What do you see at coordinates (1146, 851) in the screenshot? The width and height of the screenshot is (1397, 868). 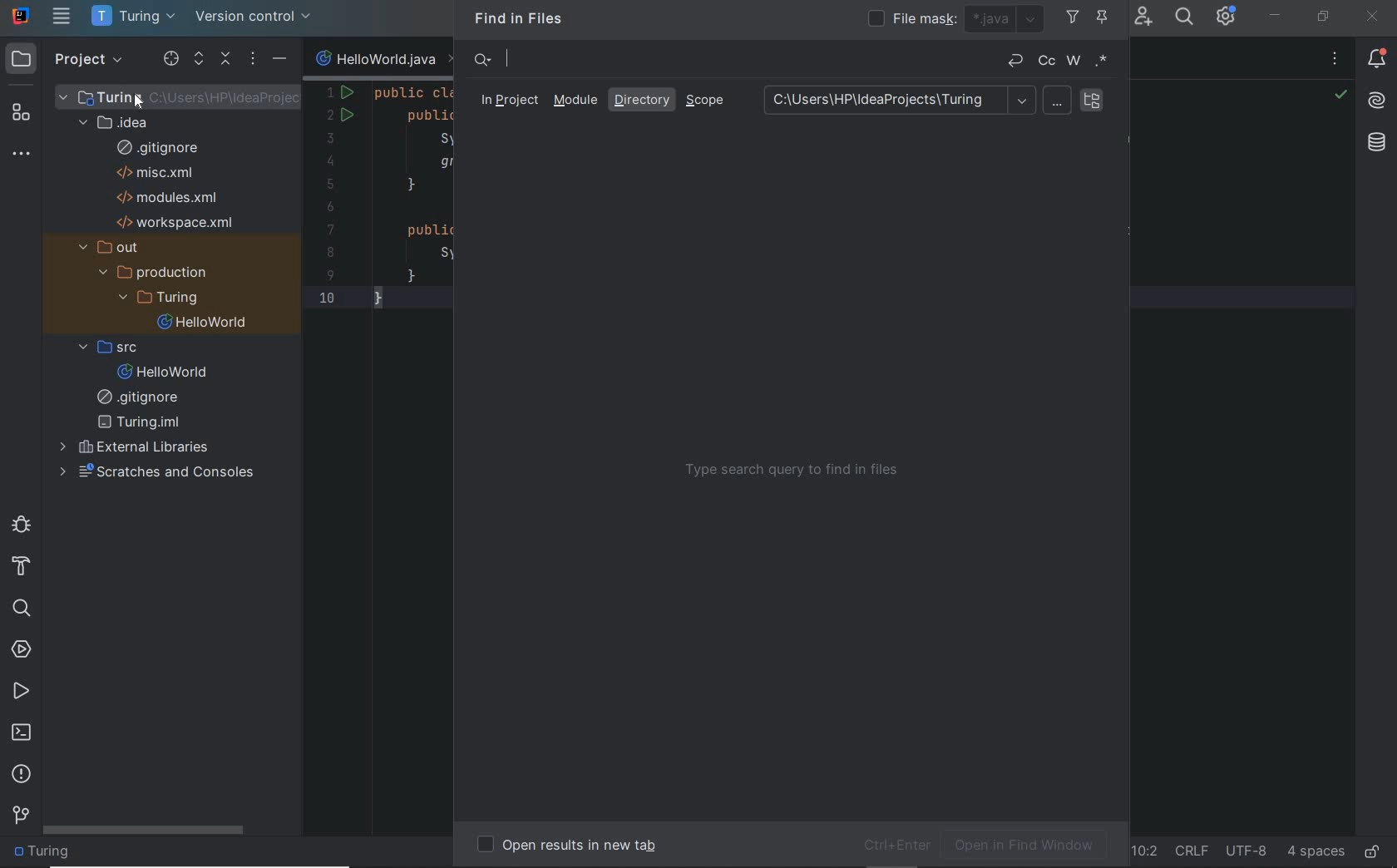 I see `go to line` at bounding box center [1146, 851].